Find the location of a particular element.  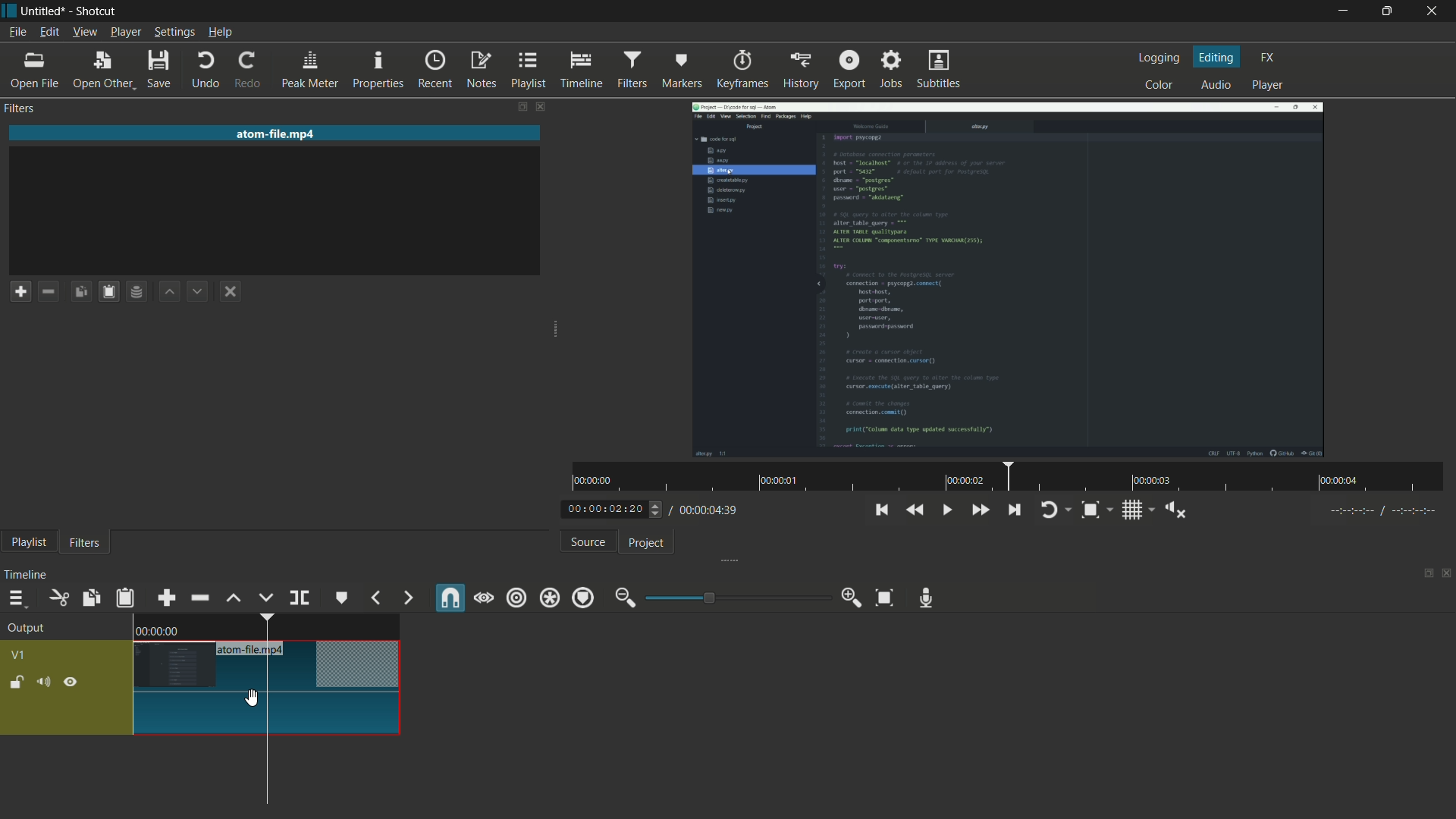

project is located at coordinates (648, 542).